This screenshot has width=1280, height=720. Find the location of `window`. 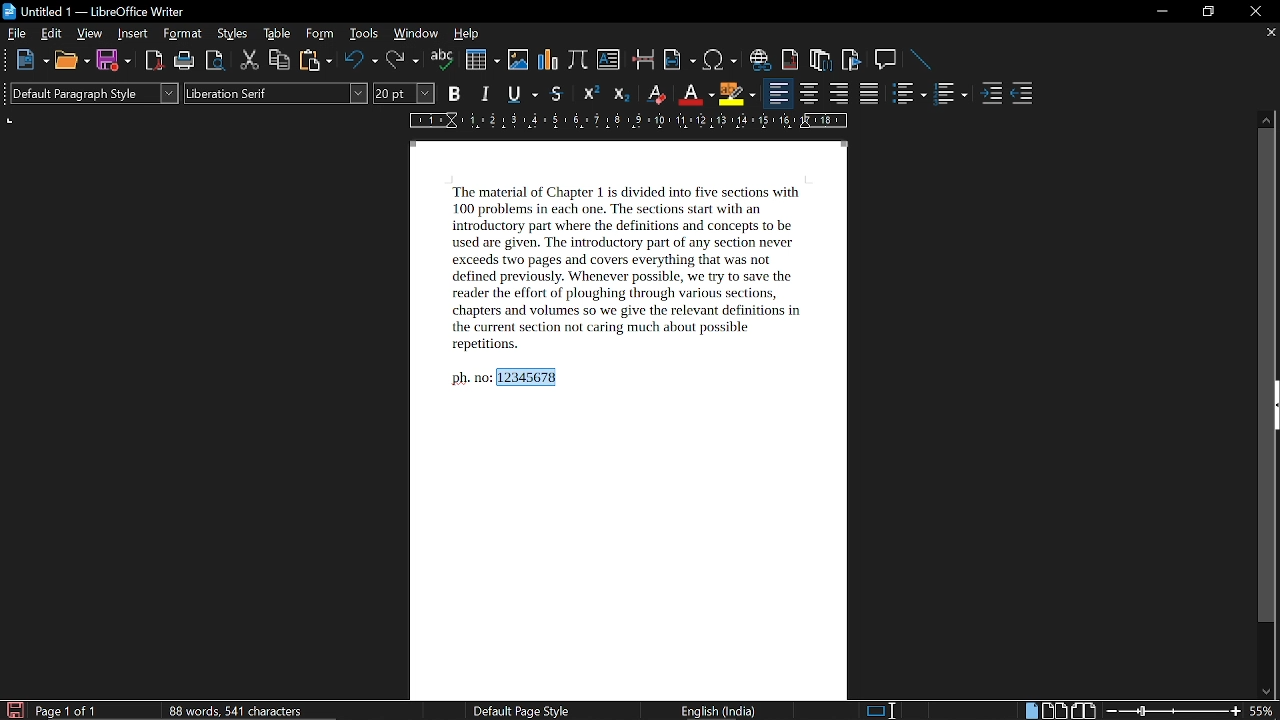

window is located at coordinates (415, 35).